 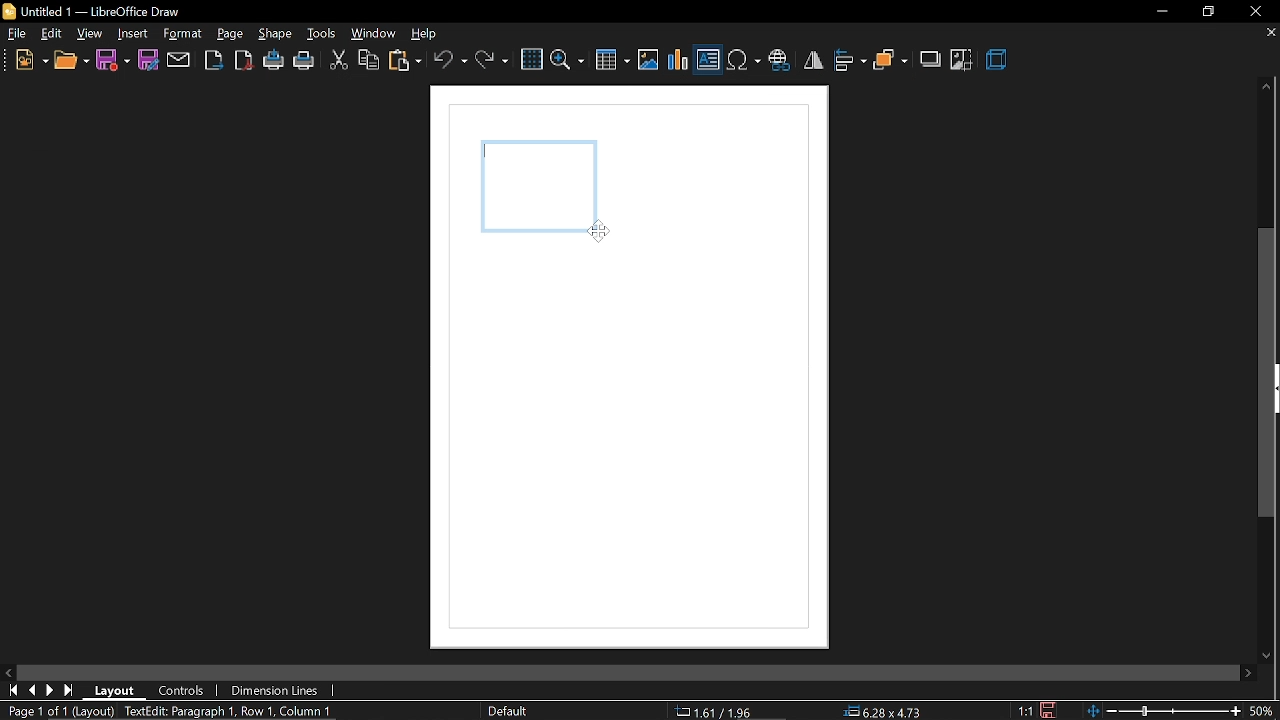 What do you see at coordinates (1270, 652) in the screenshot?
I see `move down` at bounding box center [1270, 652].